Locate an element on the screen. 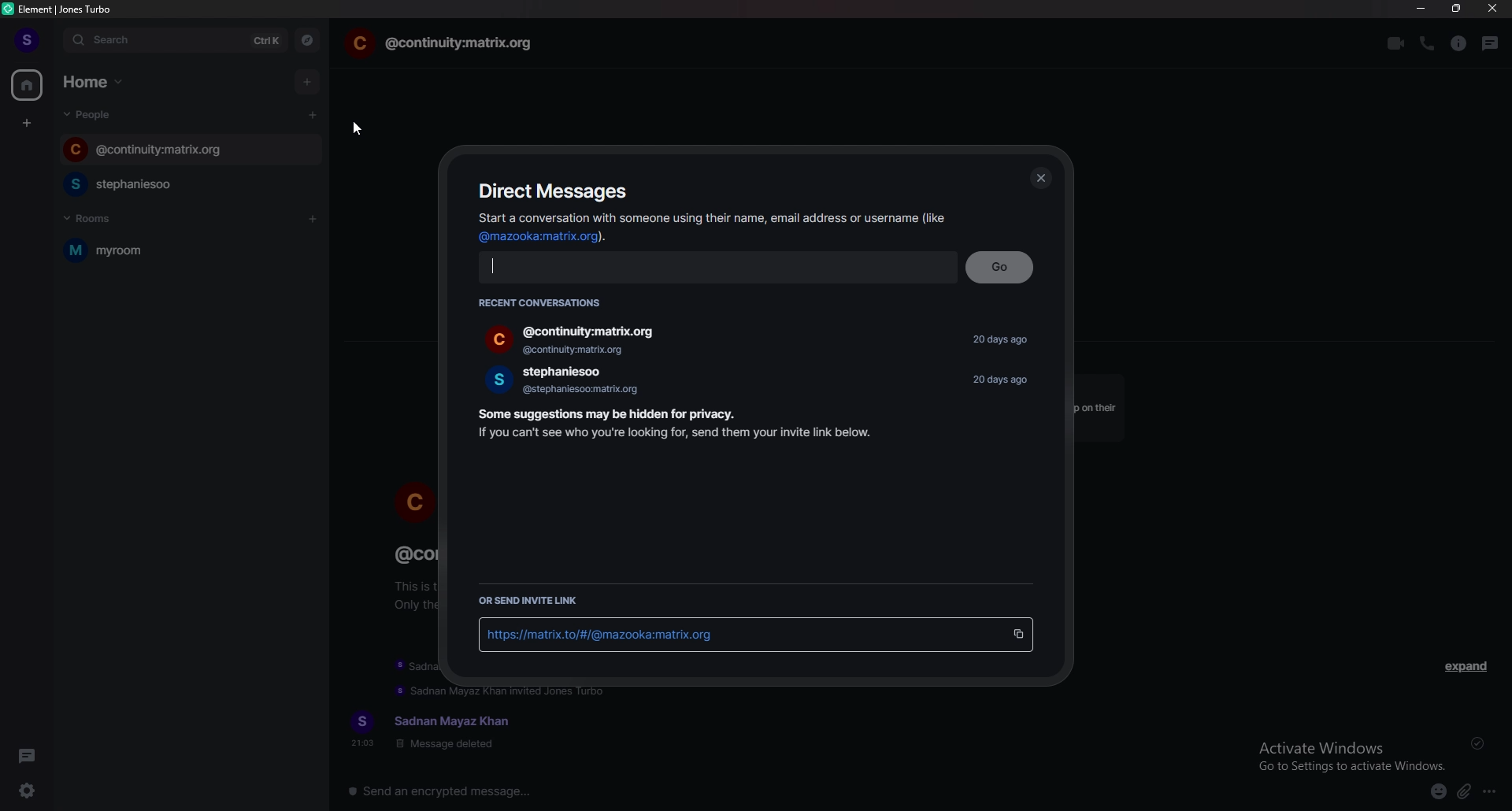  input email is located at coordinates (718, 267).